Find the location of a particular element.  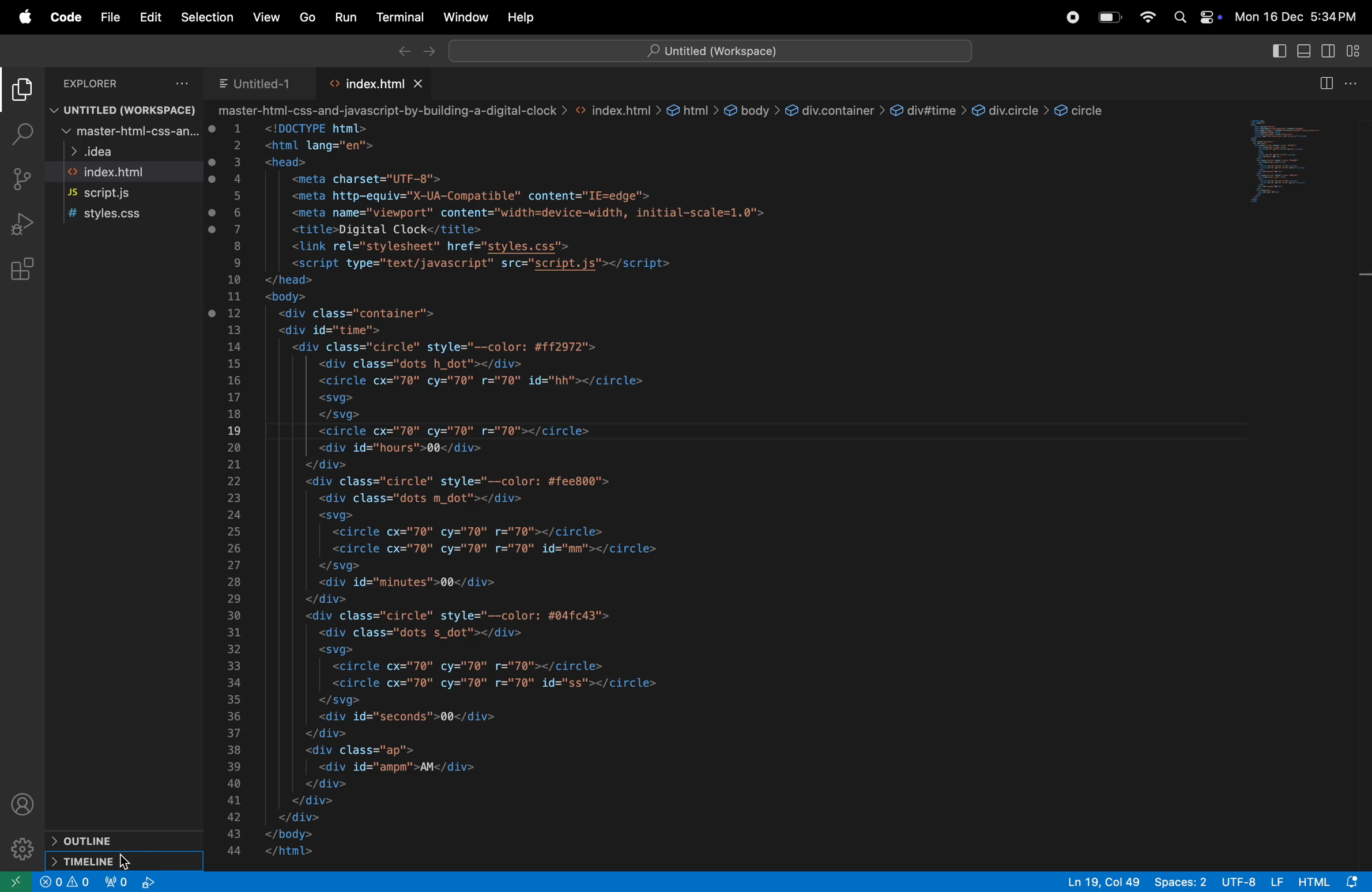

untitled is located at coordinates (259, 82).